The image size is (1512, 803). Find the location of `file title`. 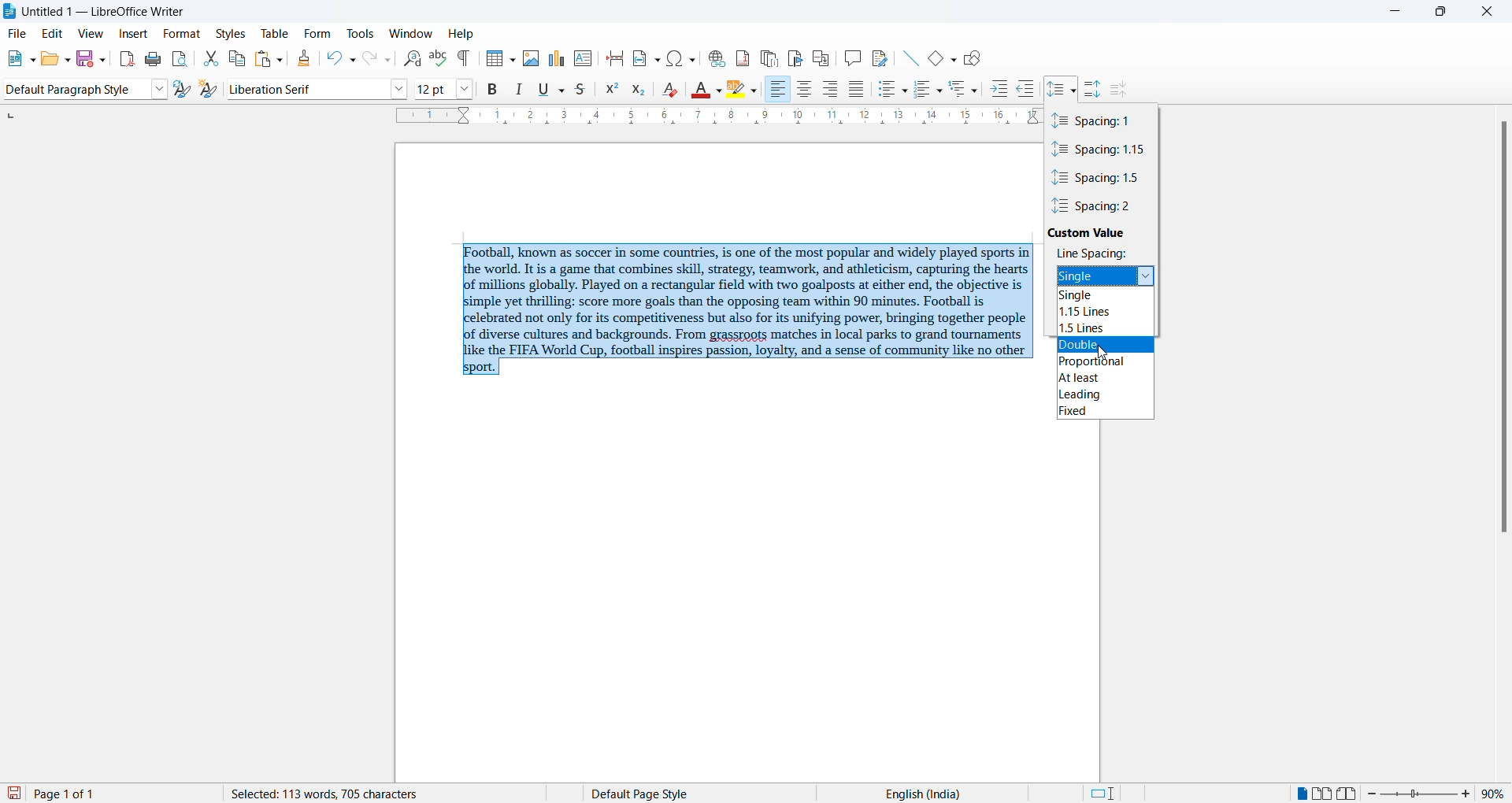

file title is located at coordinates (102, 13).